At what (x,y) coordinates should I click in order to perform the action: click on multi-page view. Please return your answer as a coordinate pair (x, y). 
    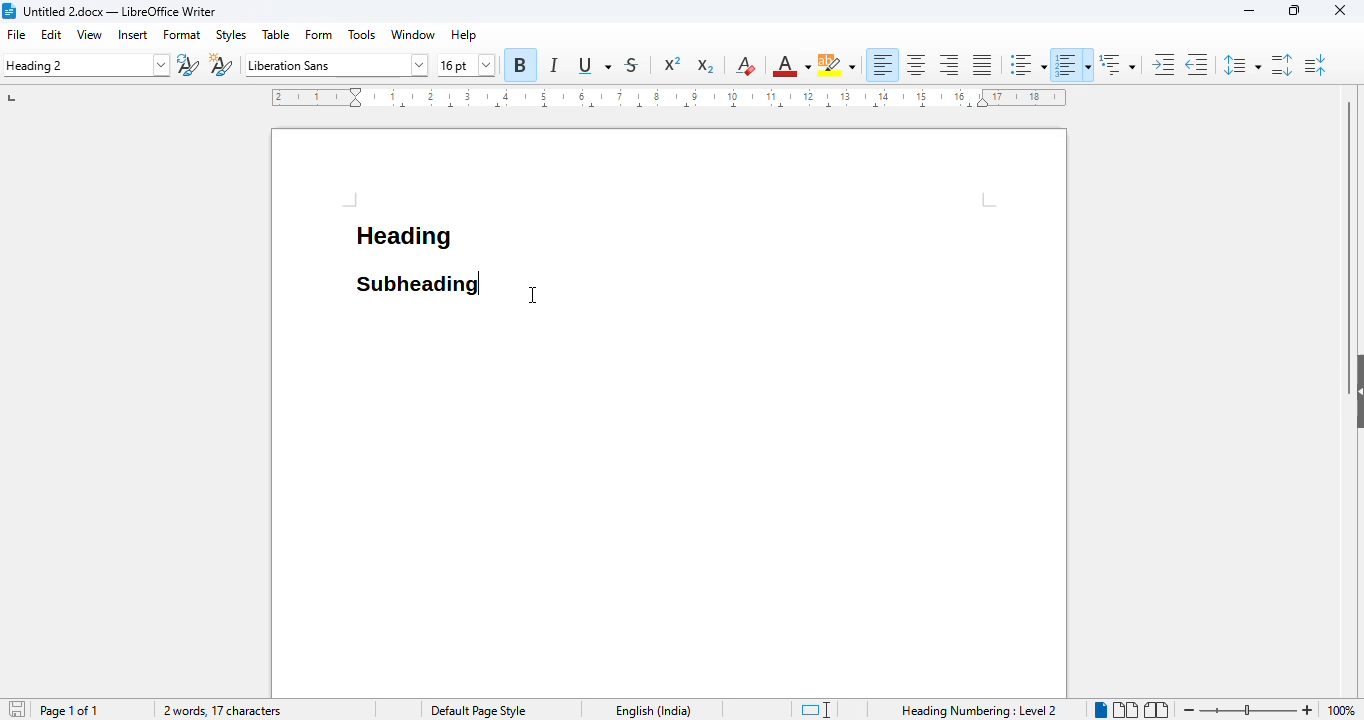
    Looking at the image, I should click on (1125, 709).